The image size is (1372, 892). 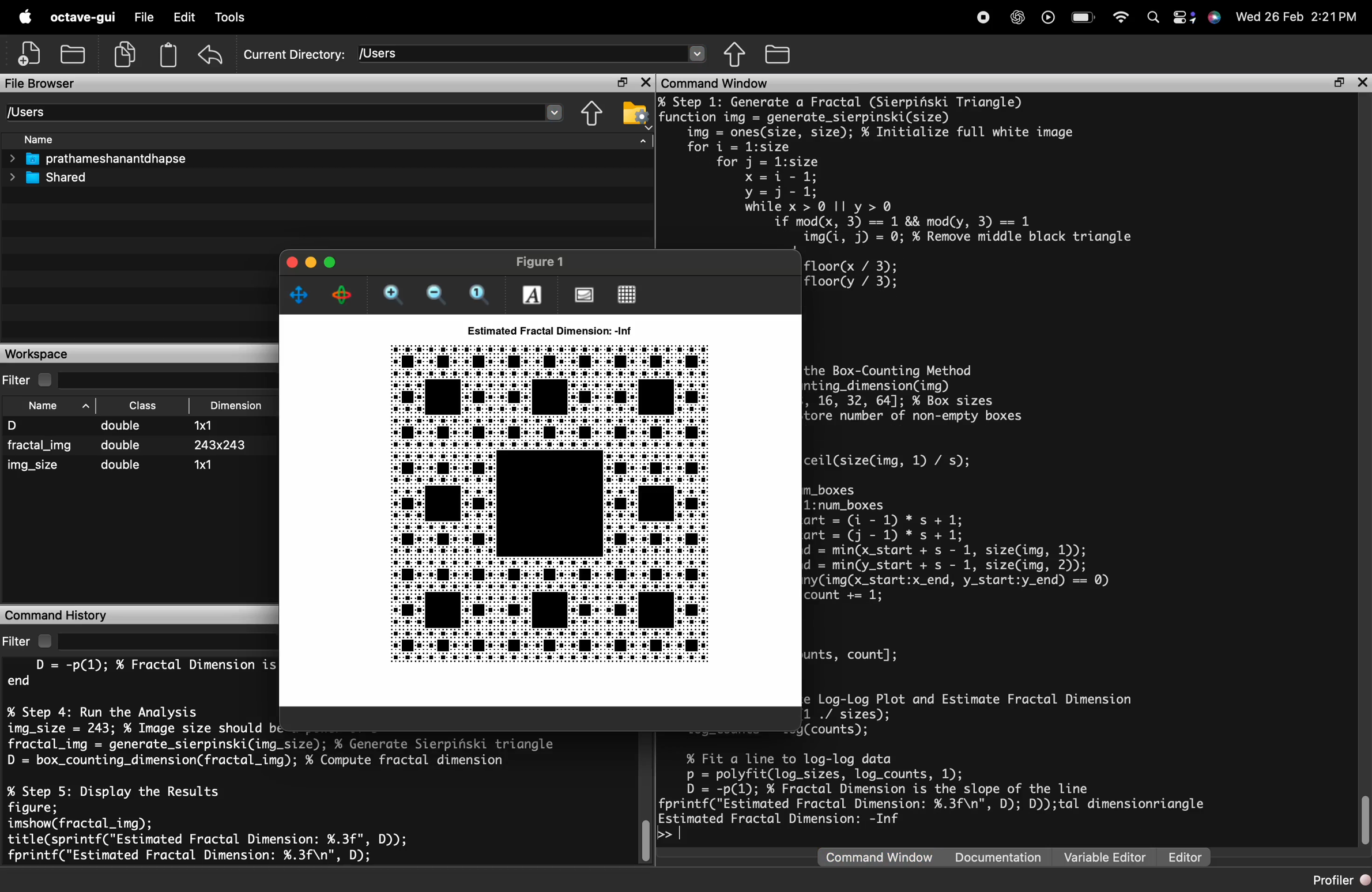 What do you see at coordinates (1341, 879) in the screenshot?
I see `Profiler` at bounding box center [1341, 879].